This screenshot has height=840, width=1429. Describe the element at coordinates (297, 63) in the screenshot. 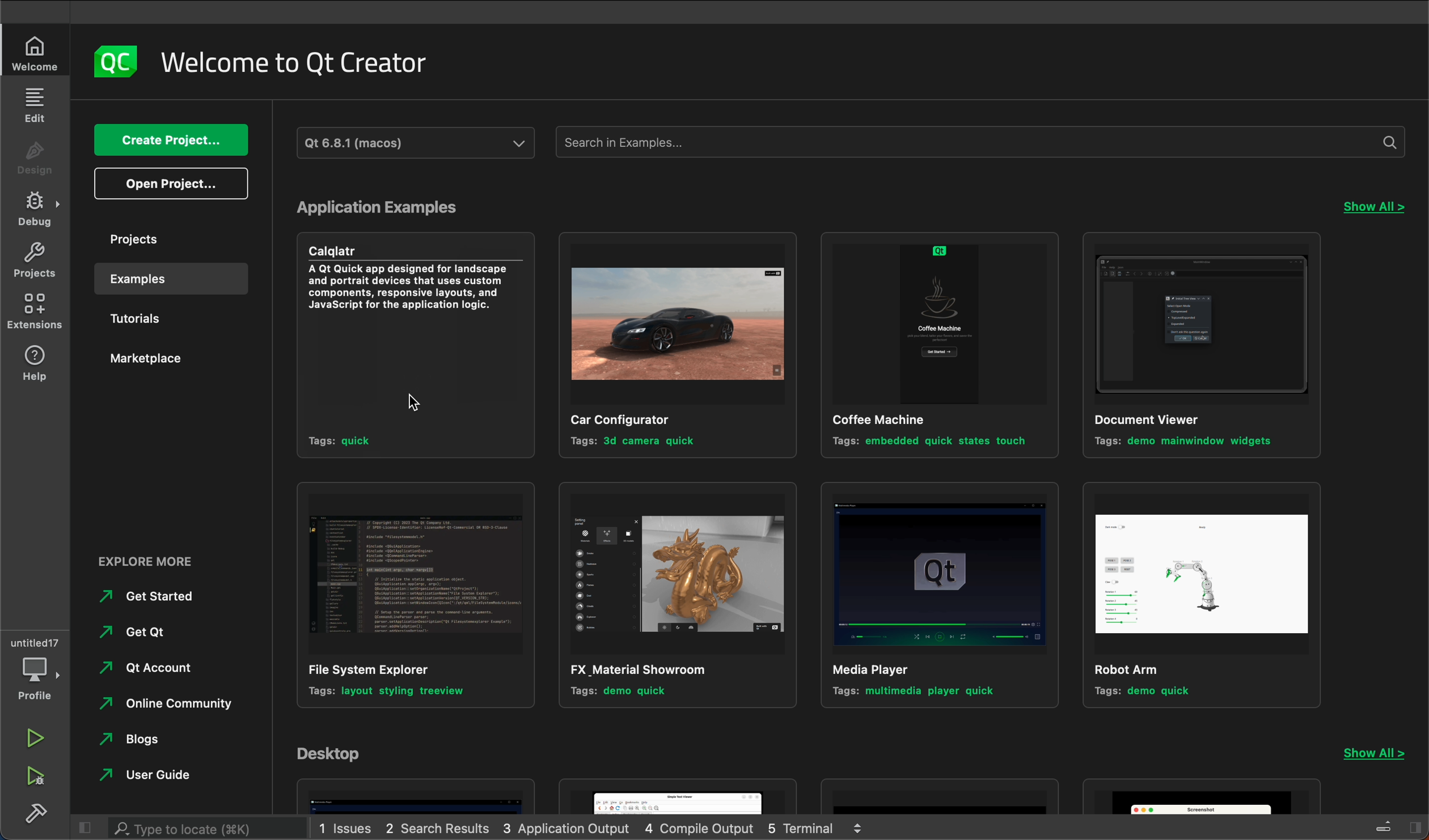

I see `welocme to Qt` at that location.